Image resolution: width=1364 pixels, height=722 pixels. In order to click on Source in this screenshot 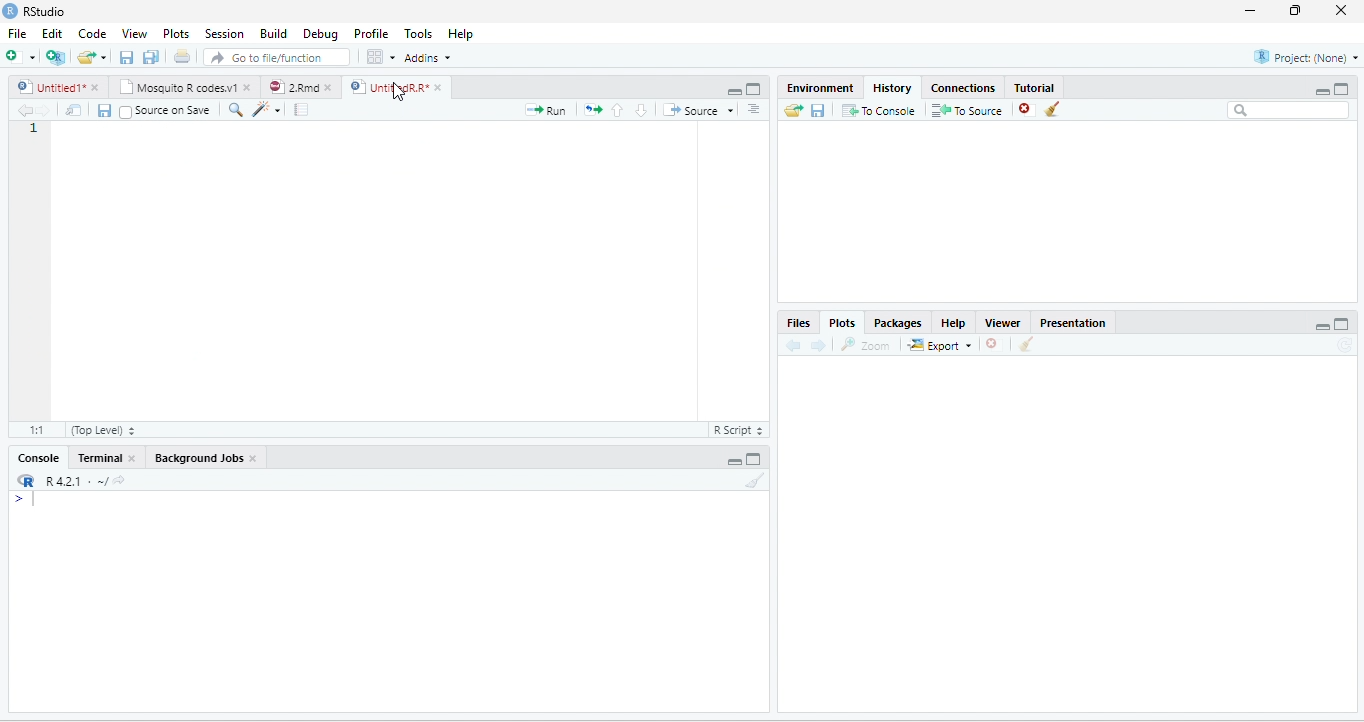, I will do `click(697, 110)`.